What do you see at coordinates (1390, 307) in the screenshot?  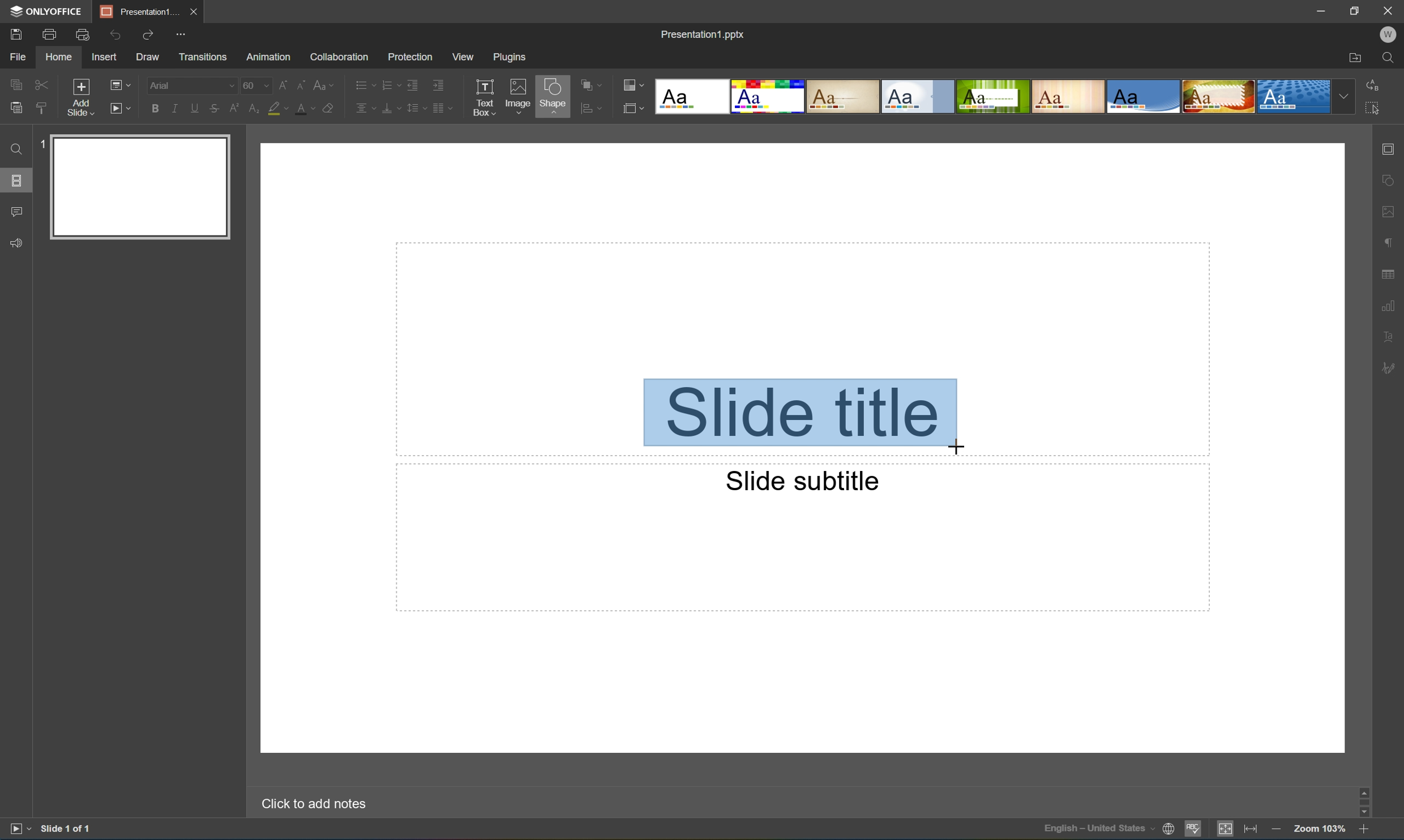 I see `chart settings` at bounding box center [1390, 307].